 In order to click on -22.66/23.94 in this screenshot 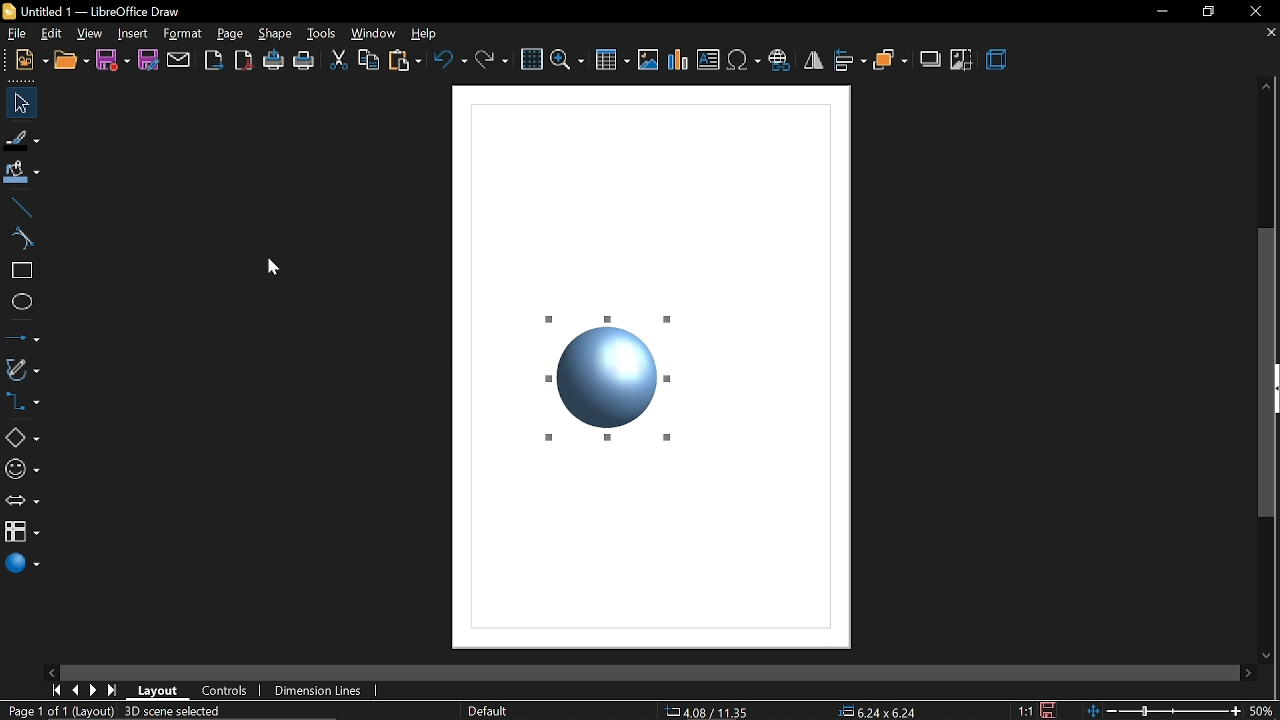, I will do `click(702, 711)`.